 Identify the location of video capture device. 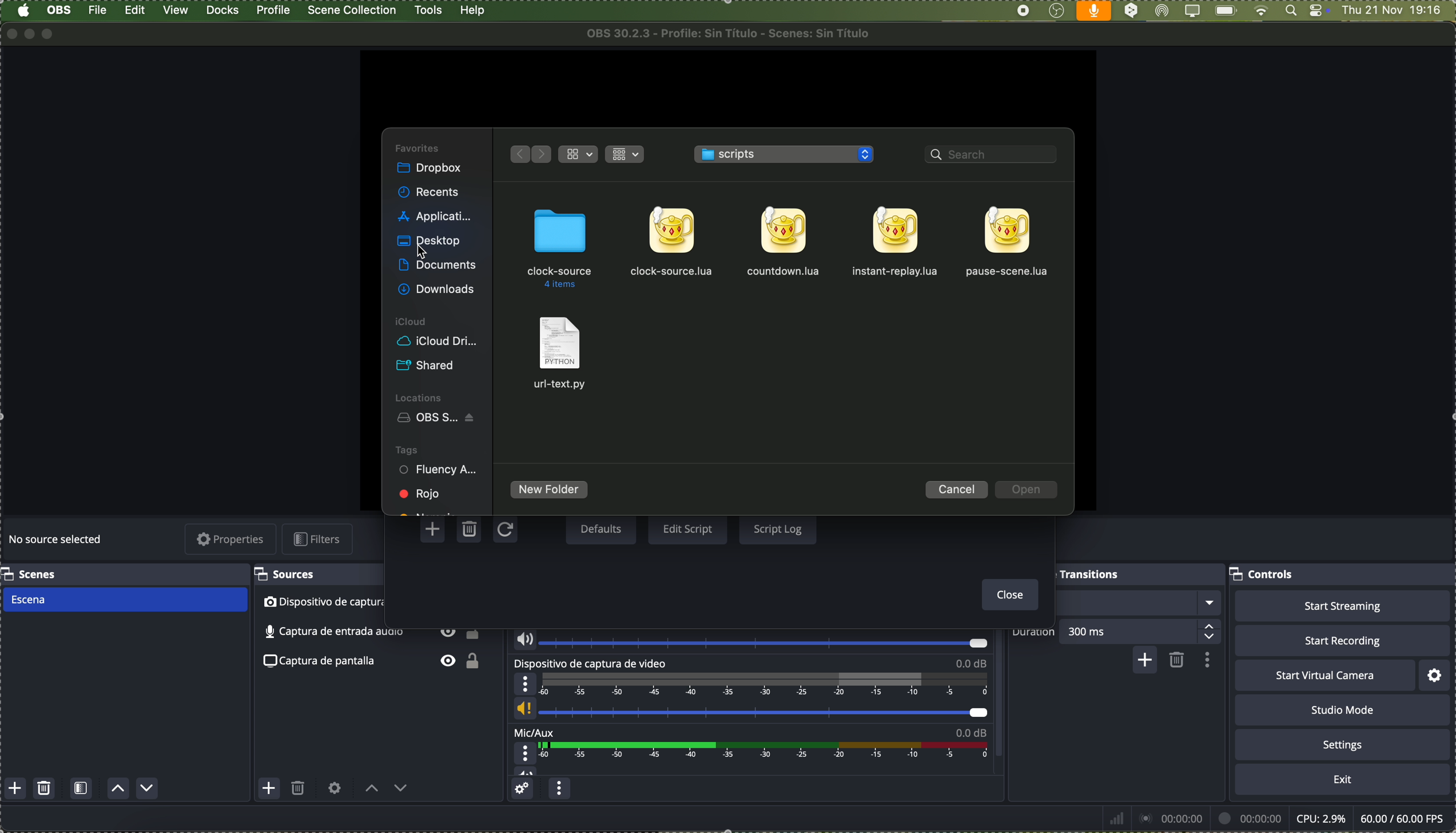
(373, 603).